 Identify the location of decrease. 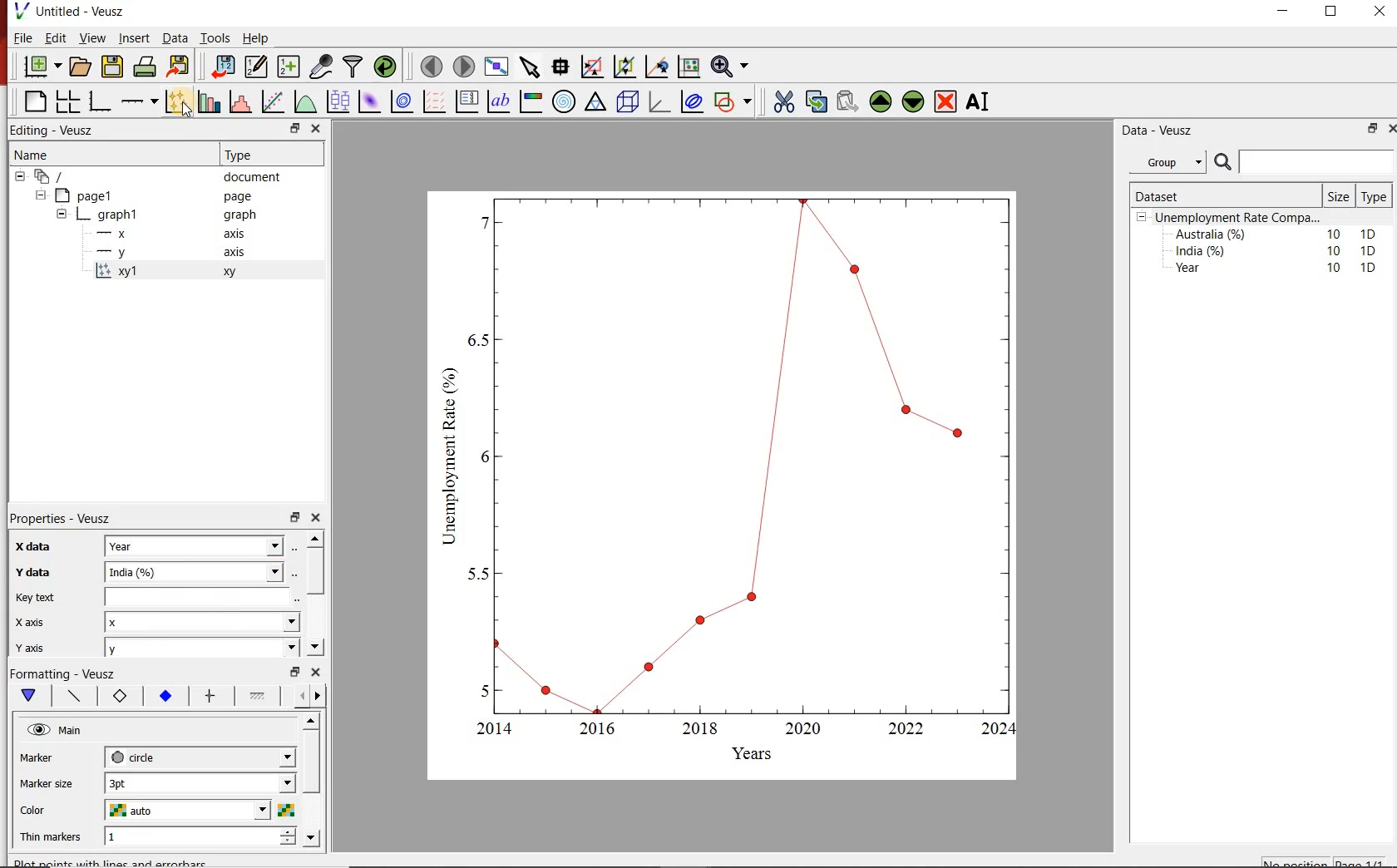
(288, 845).